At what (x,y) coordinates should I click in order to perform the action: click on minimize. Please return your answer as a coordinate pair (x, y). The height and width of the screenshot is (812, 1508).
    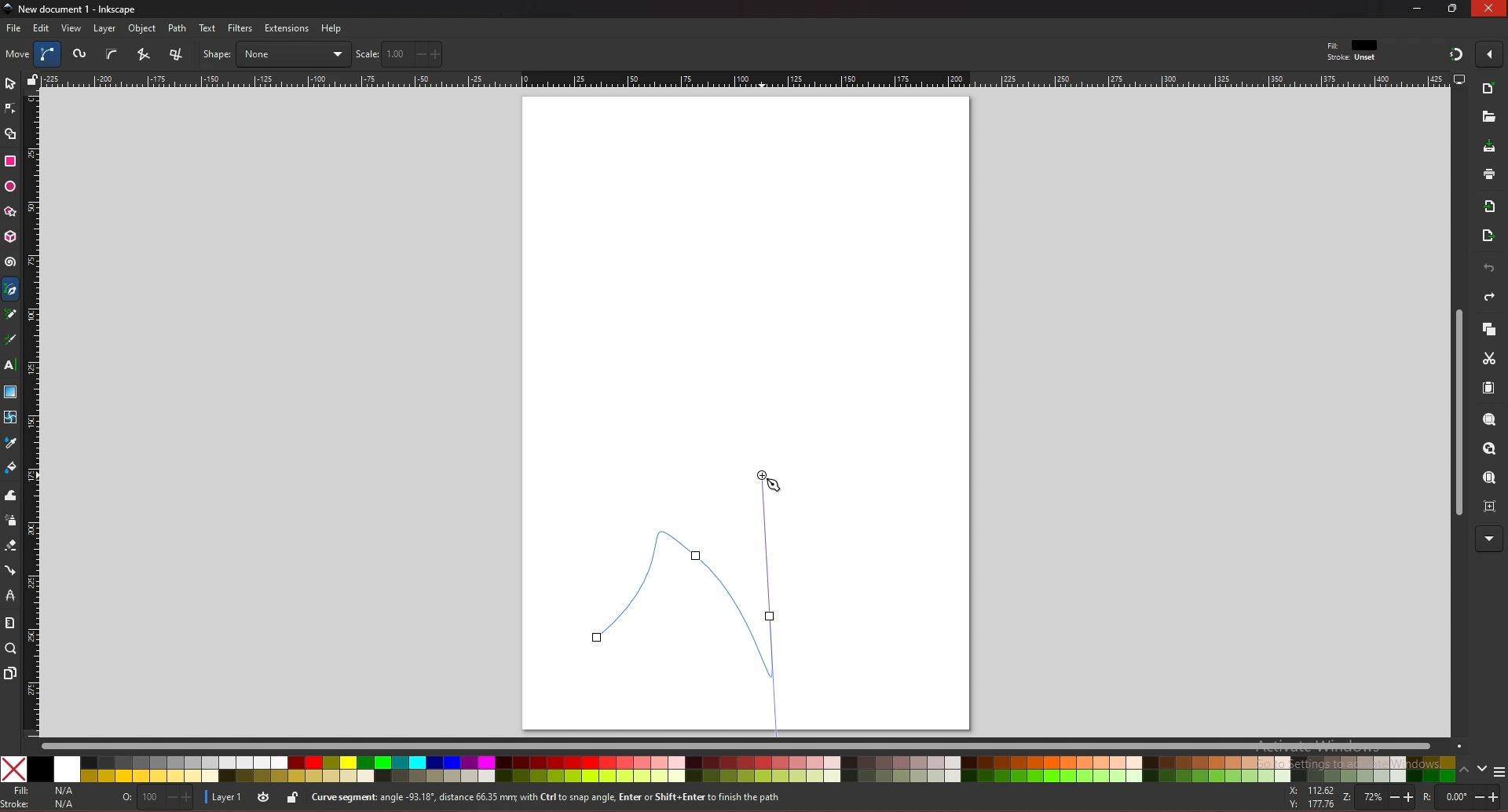
    Looking at the image, I should click on (1418, 8).